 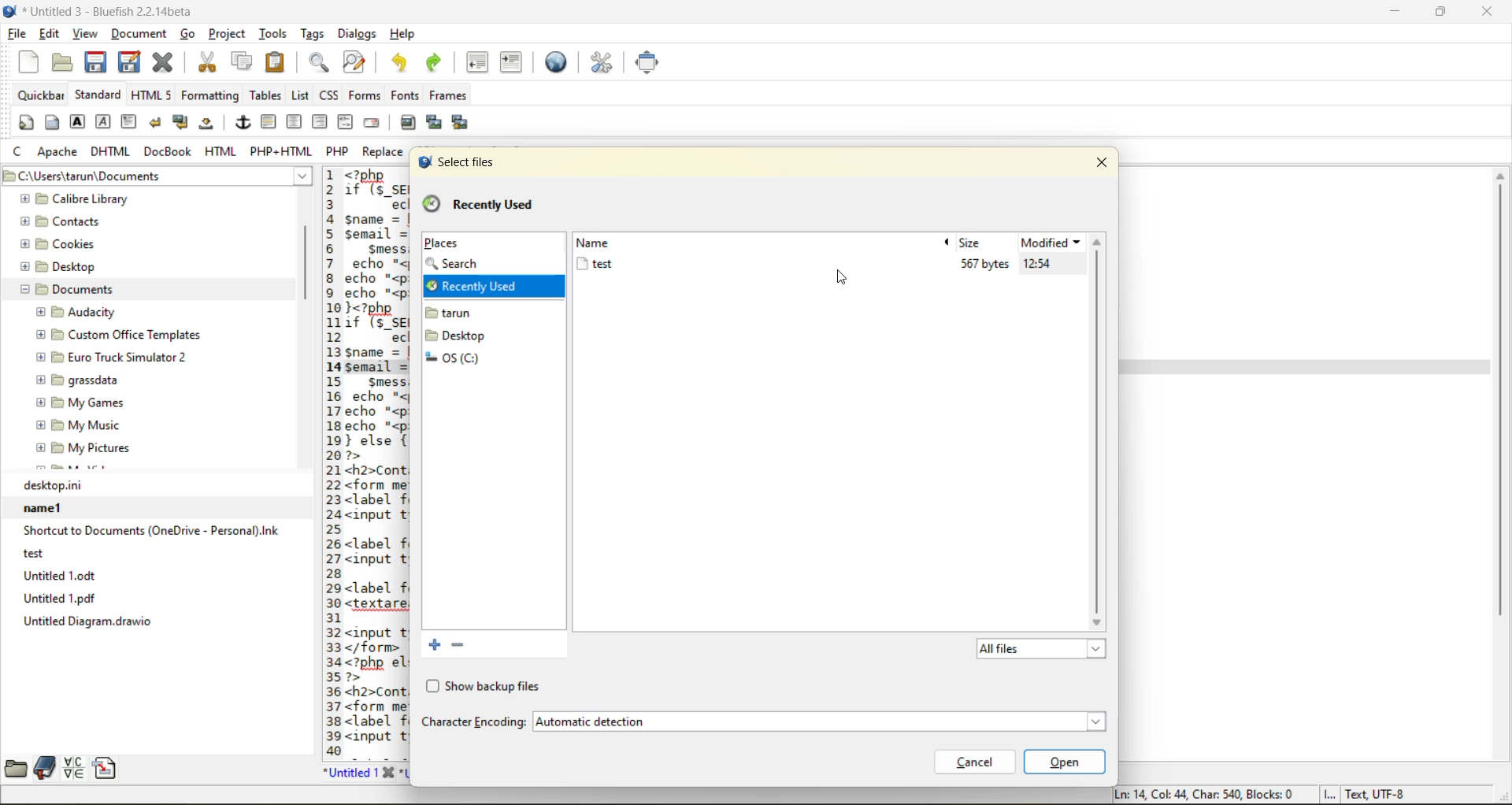 I want to click on Untitled 1.odt, so click(x=157, y=575).